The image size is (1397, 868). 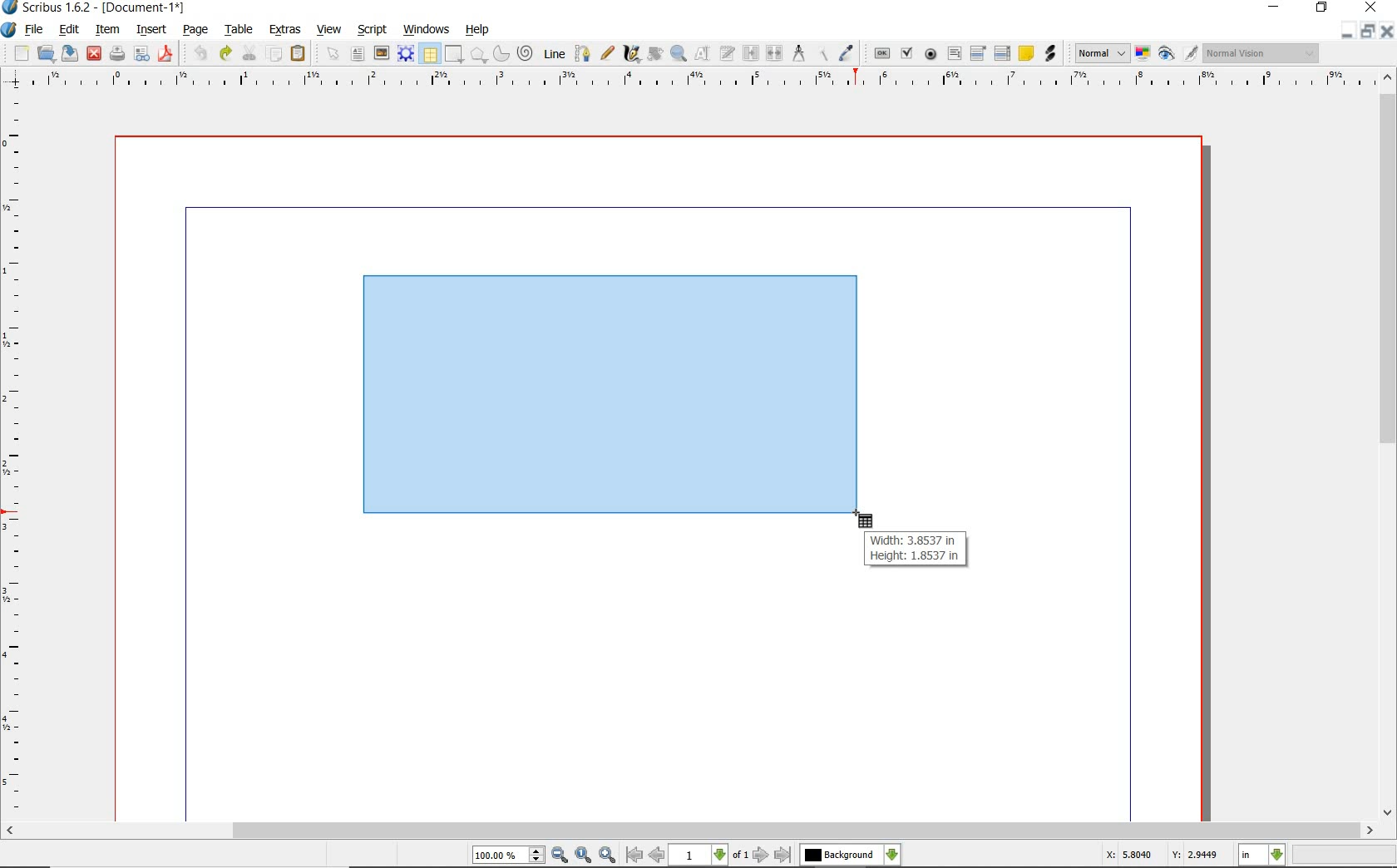 What do you see at coordinates (706, 80) in the screenshot?
I see `ruler` at bounding box center [706, 80].